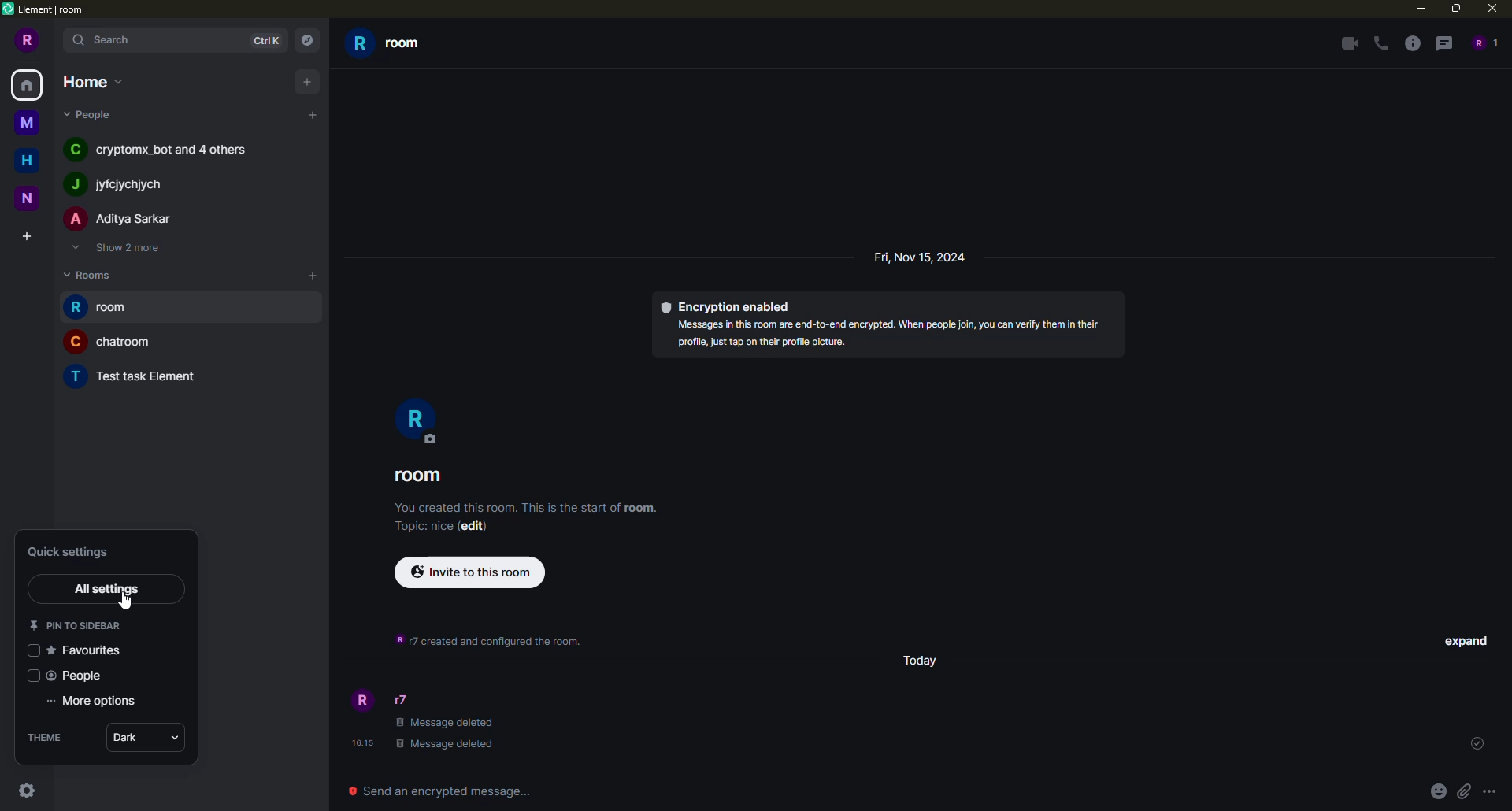  I want to click on profile, so click(24, 40).